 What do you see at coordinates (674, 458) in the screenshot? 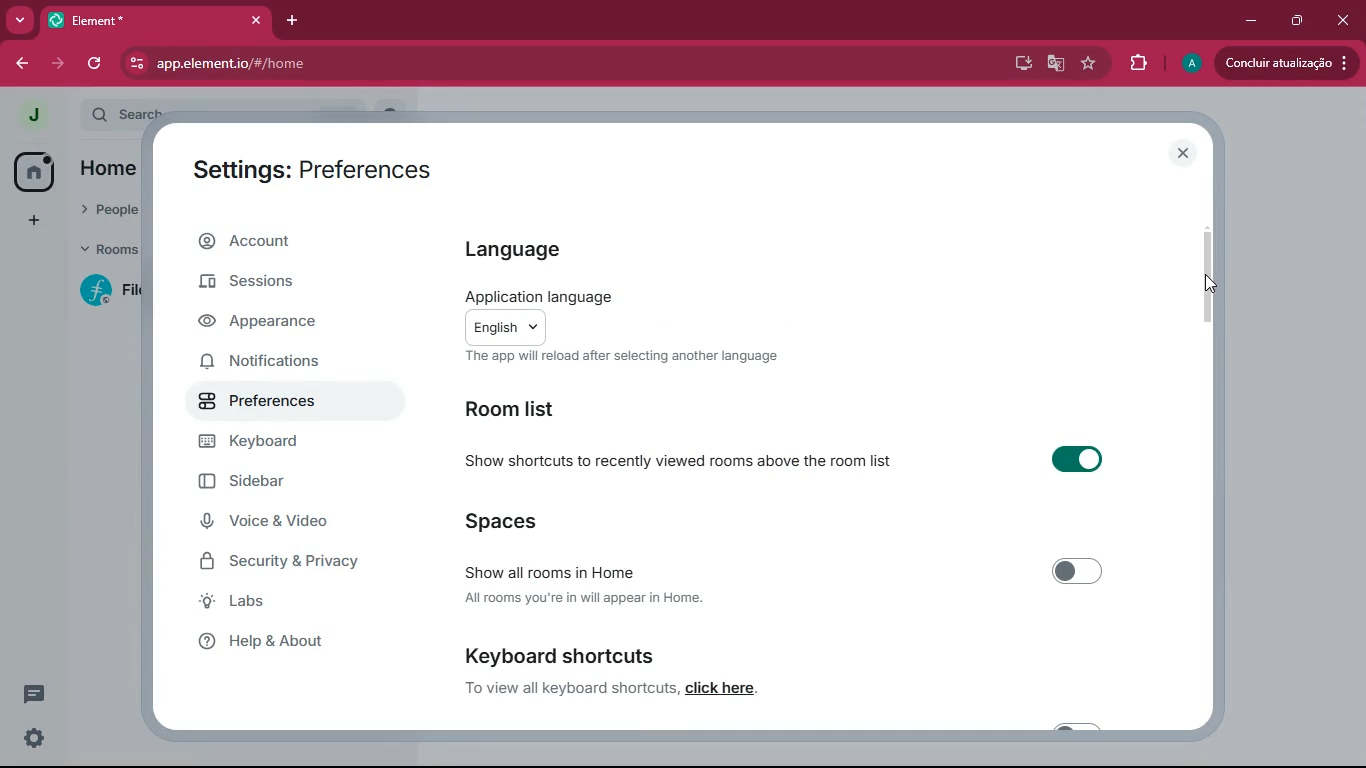
I see `show shortcuts to recently viewed rooms above the room list` at bounding box center [674, 458].